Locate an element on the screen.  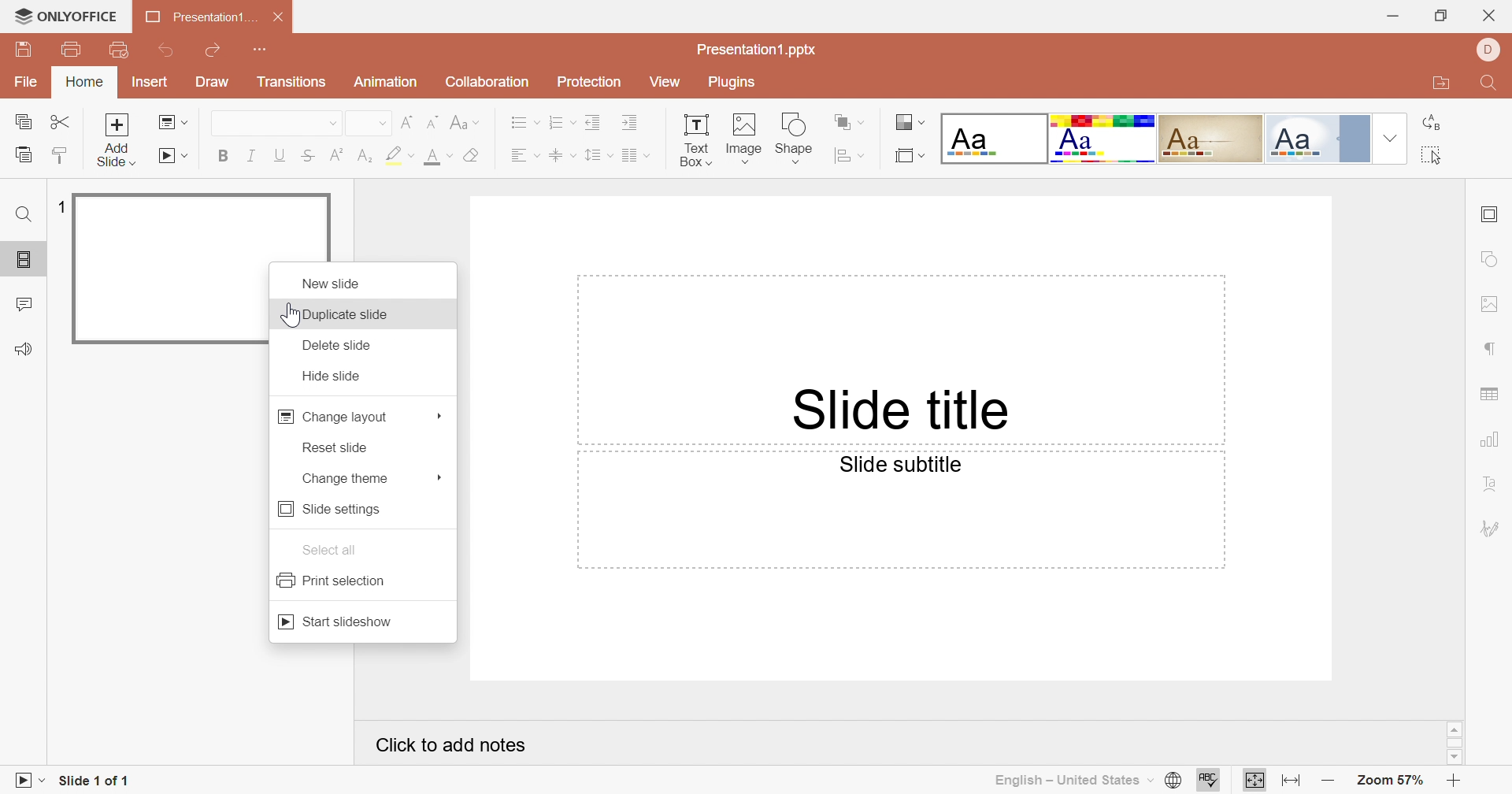
Open file location is located at coordinates (1440, 86).